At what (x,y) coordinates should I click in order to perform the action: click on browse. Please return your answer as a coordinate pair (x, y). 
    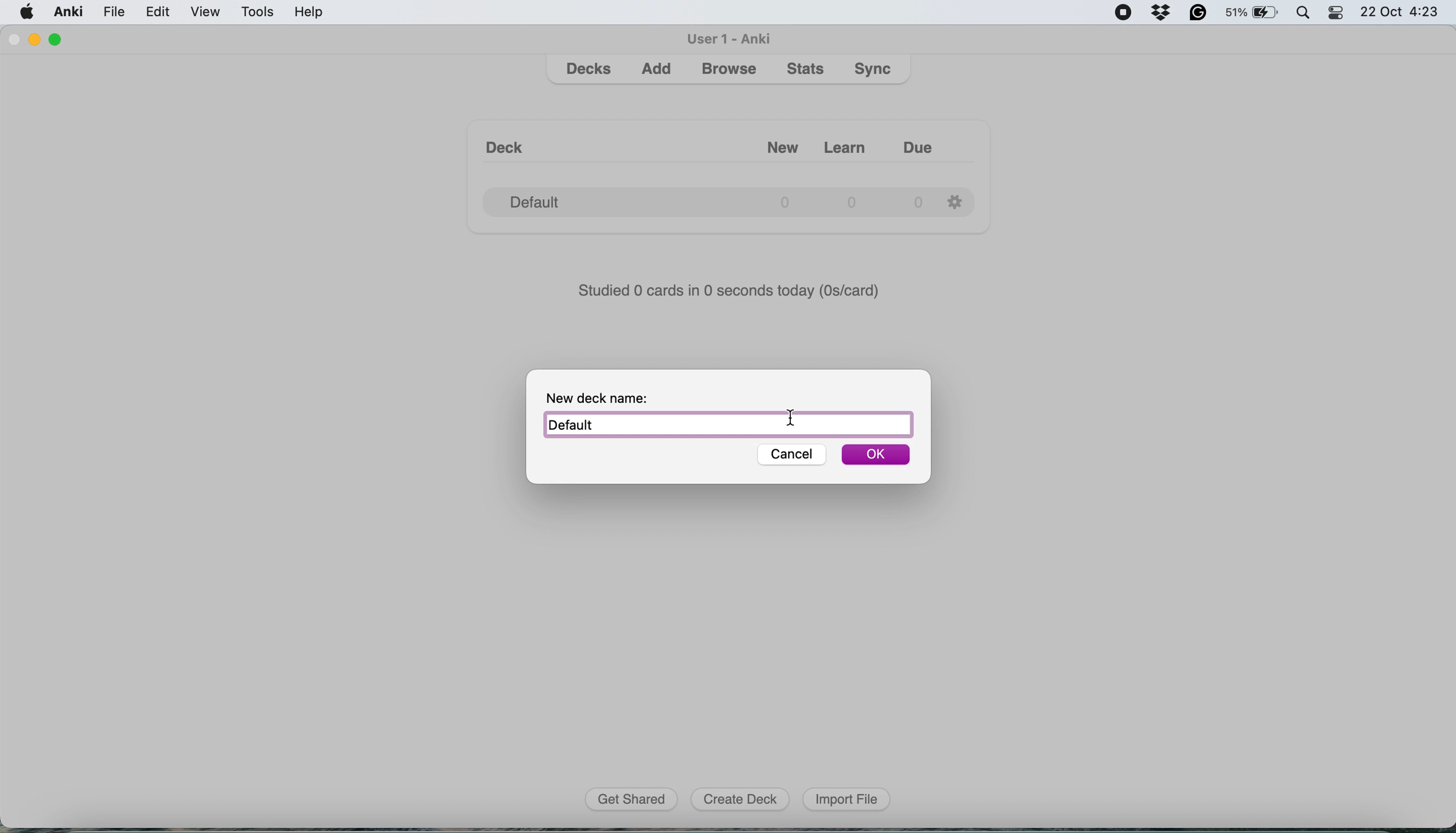
    Looking at the image, I should click on (729, 70).